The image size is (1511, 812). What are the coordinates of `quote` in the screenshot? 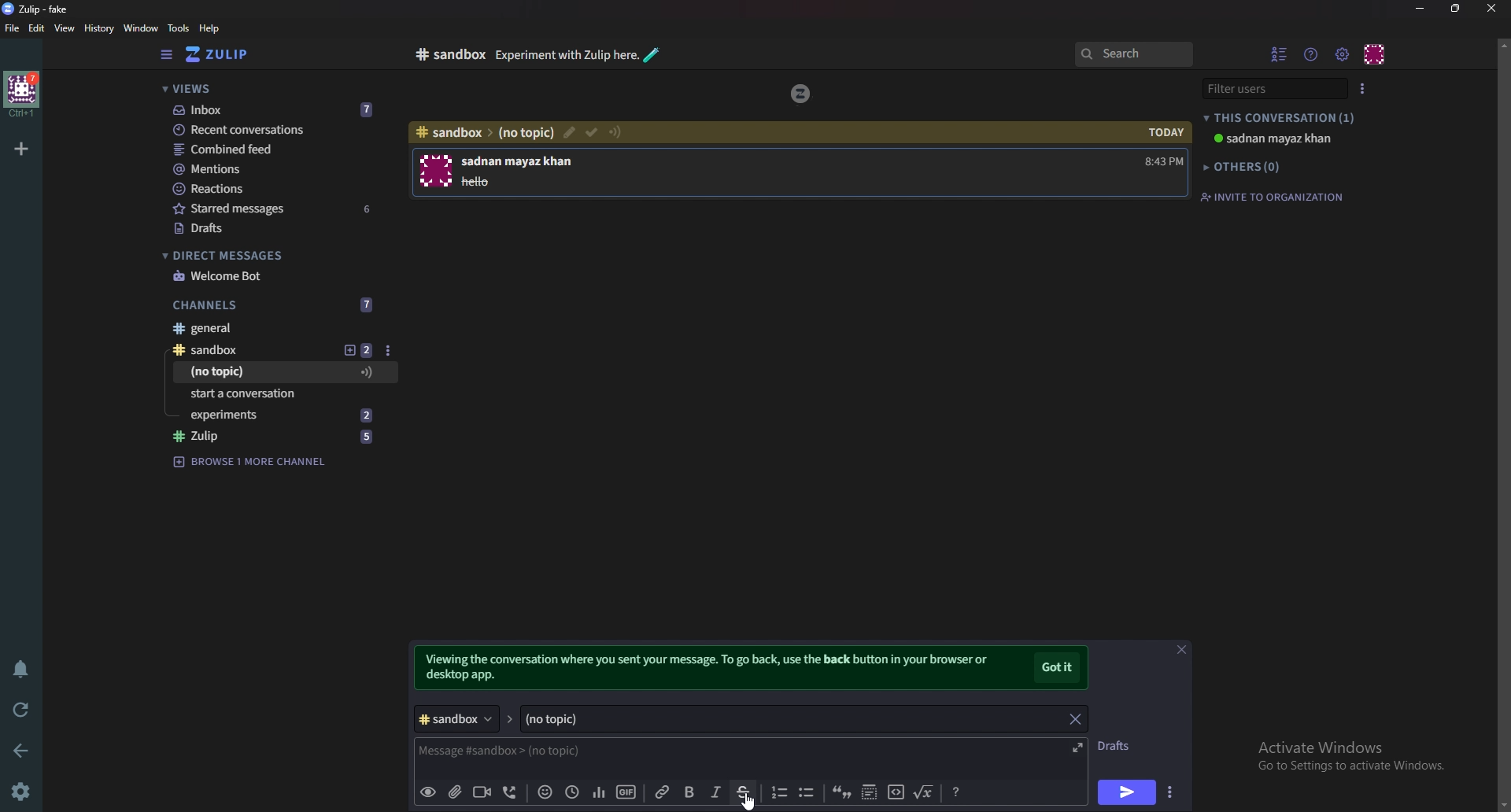 It's located at (841, 793).